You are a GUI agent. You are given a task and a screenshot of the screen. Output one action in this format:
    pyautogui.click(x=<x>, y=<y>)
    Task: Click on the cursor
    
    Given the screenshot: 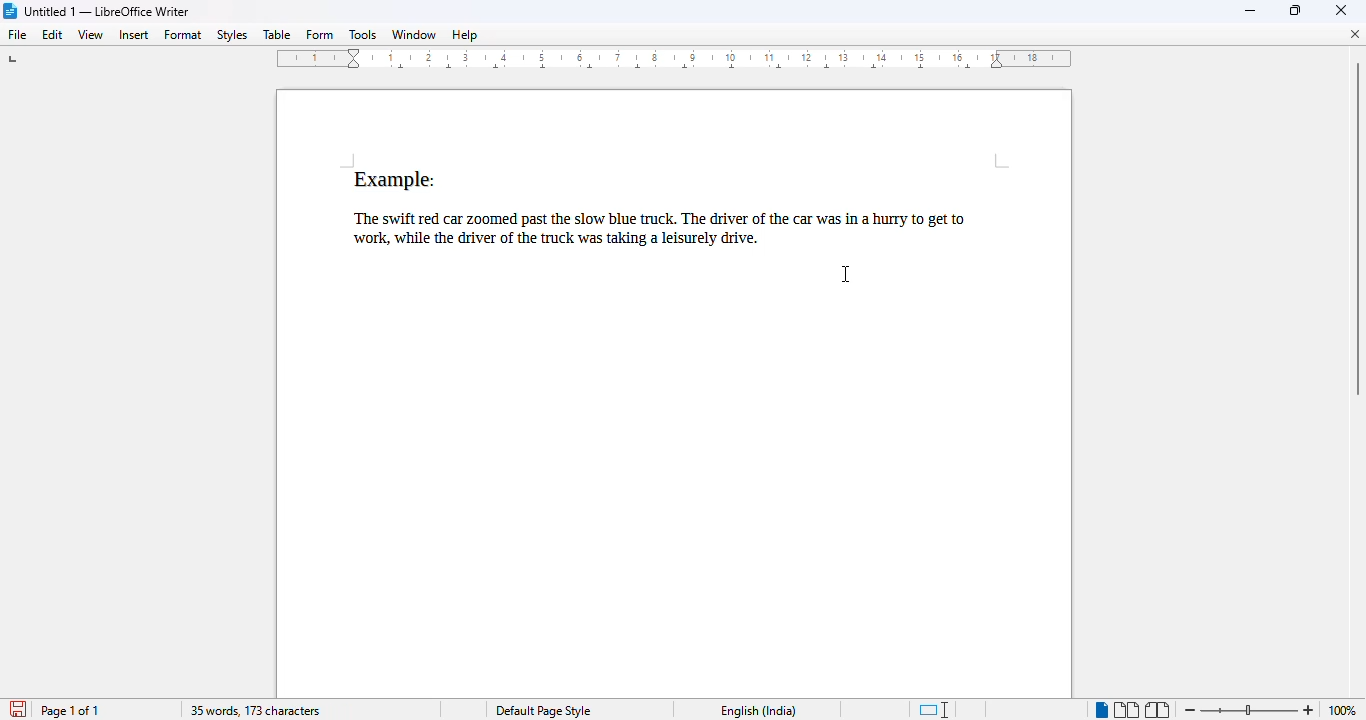 What is the action you would take?
    pyautogui.click(x=845, y=275)
    